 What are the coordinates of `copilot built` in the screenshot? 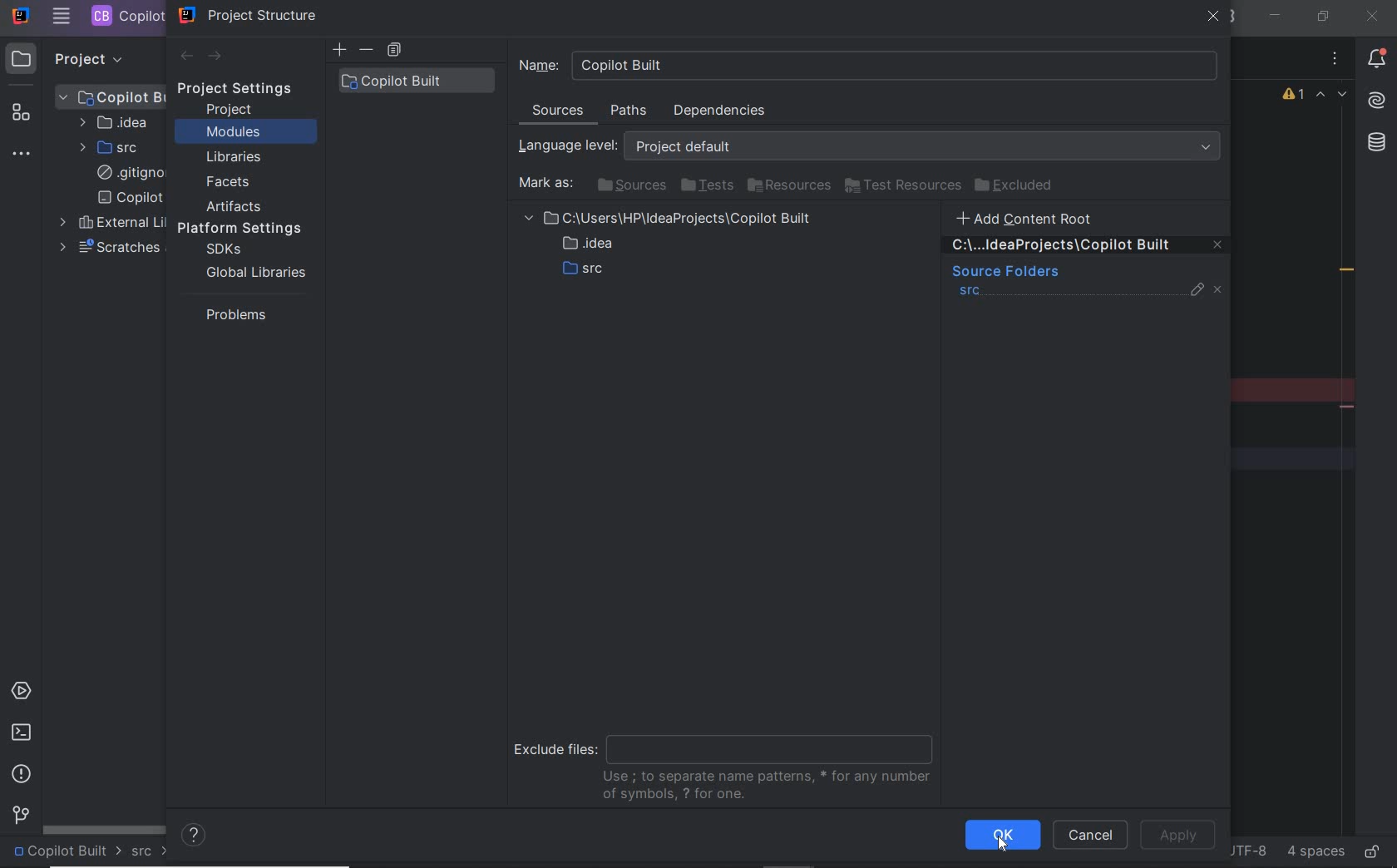 It's located at (416, 81).